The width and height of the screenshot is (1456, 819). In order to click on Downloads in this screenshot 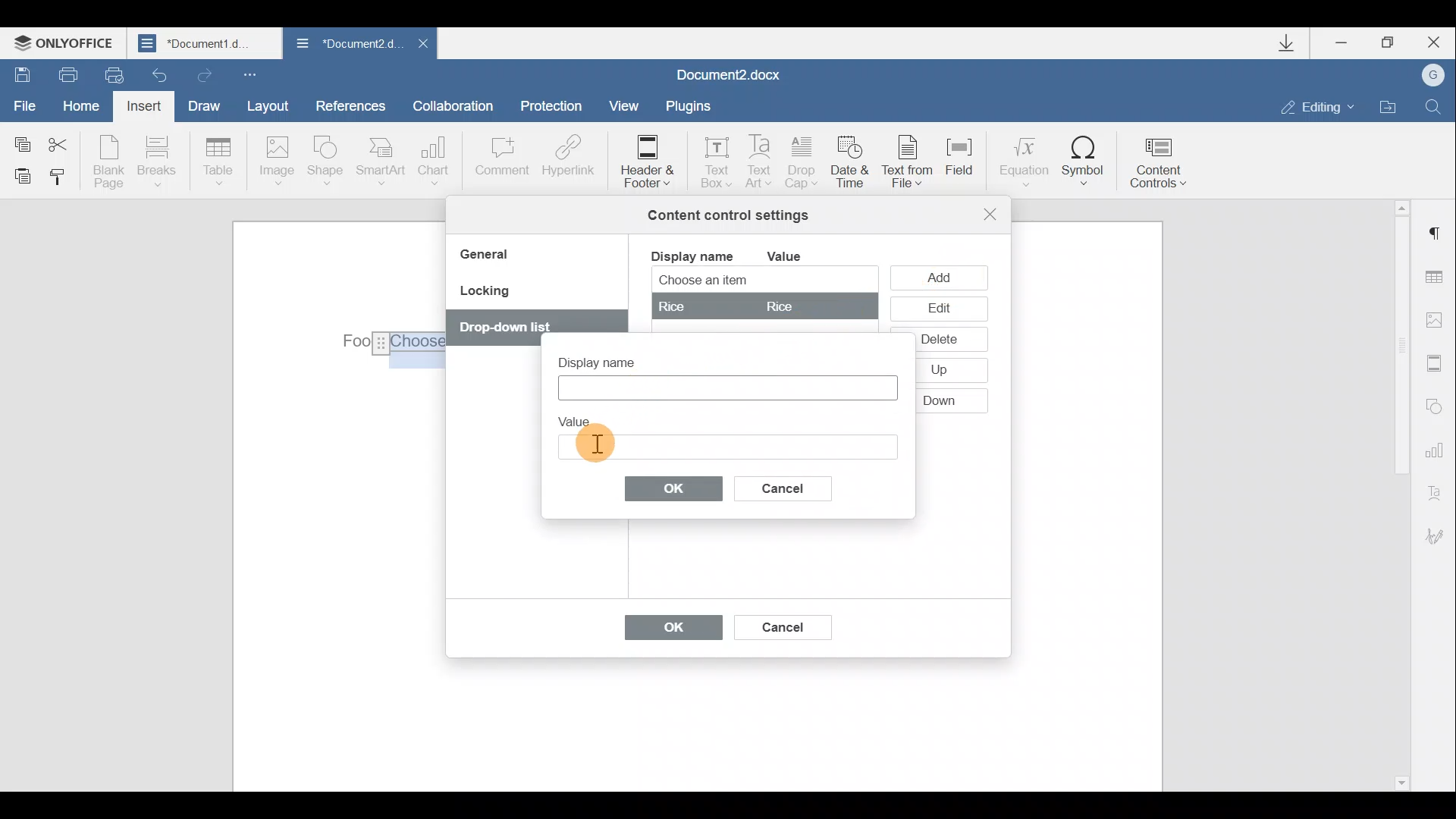, I will do `click(1292, 43)`.